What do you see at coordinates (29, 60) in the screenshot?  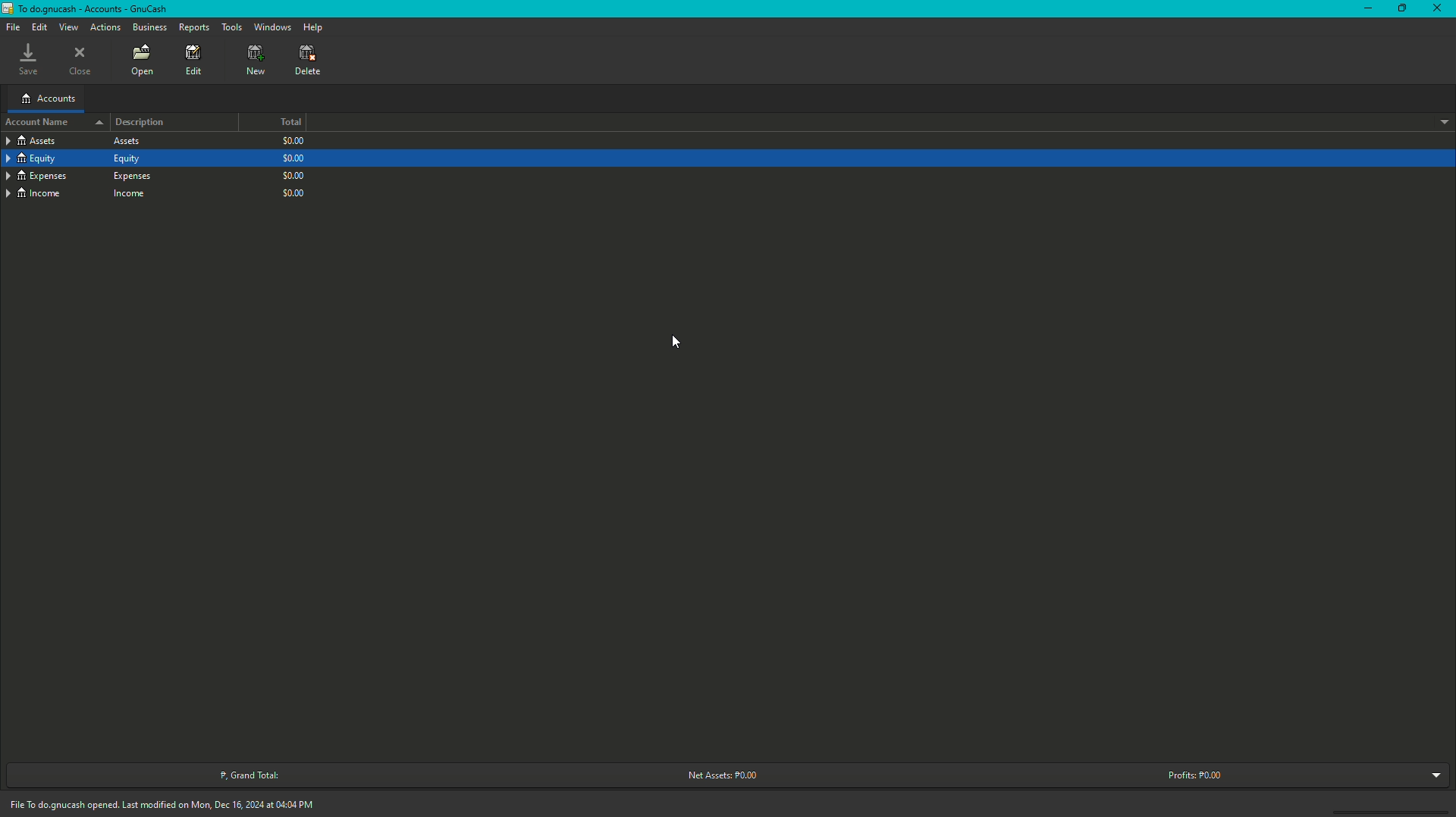 I see `Save` at bounding box center [29, 60].